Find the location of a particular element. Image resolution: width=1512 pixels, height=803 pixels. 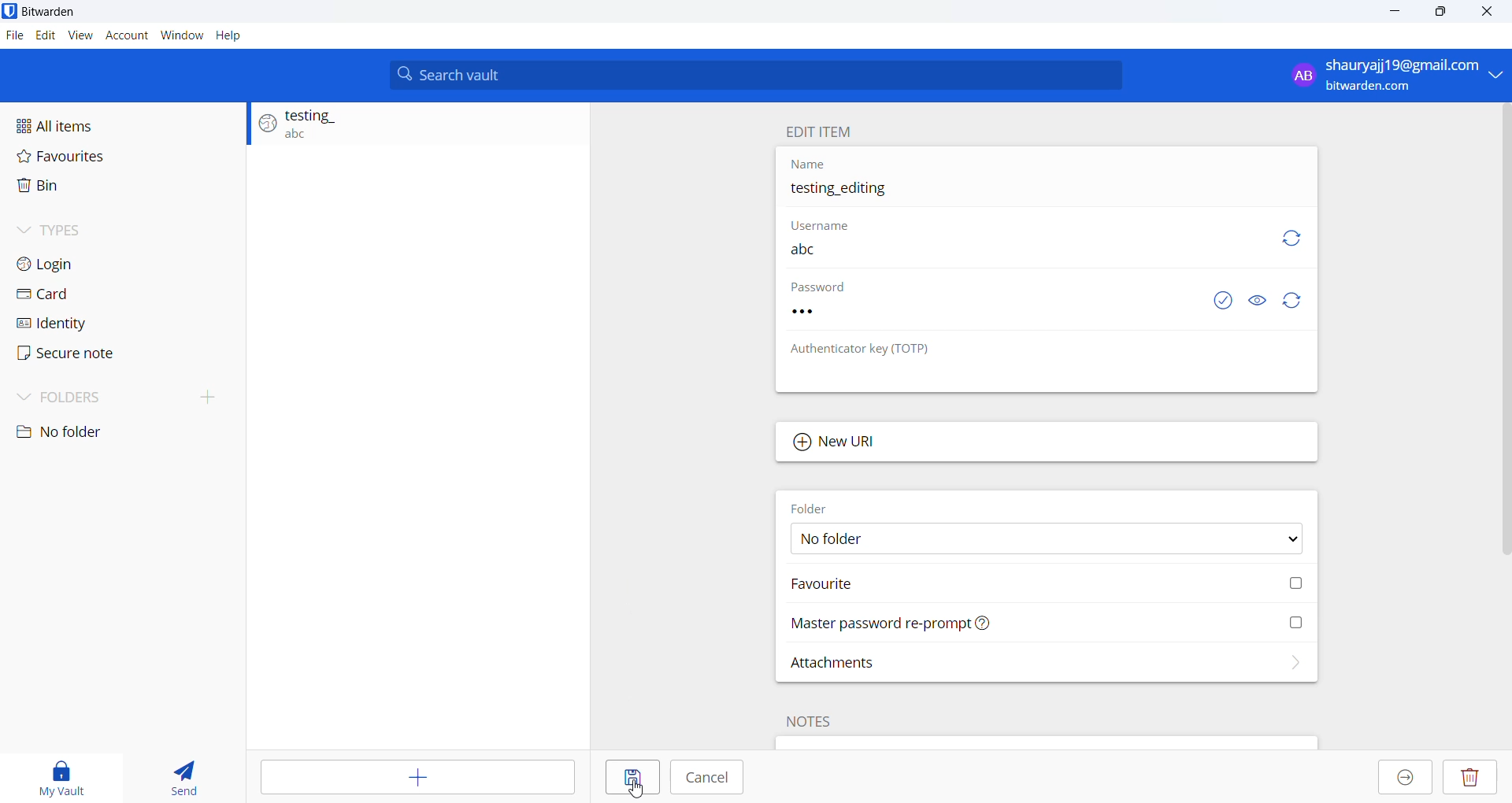

Delete is located at coordinates (1469, 779).